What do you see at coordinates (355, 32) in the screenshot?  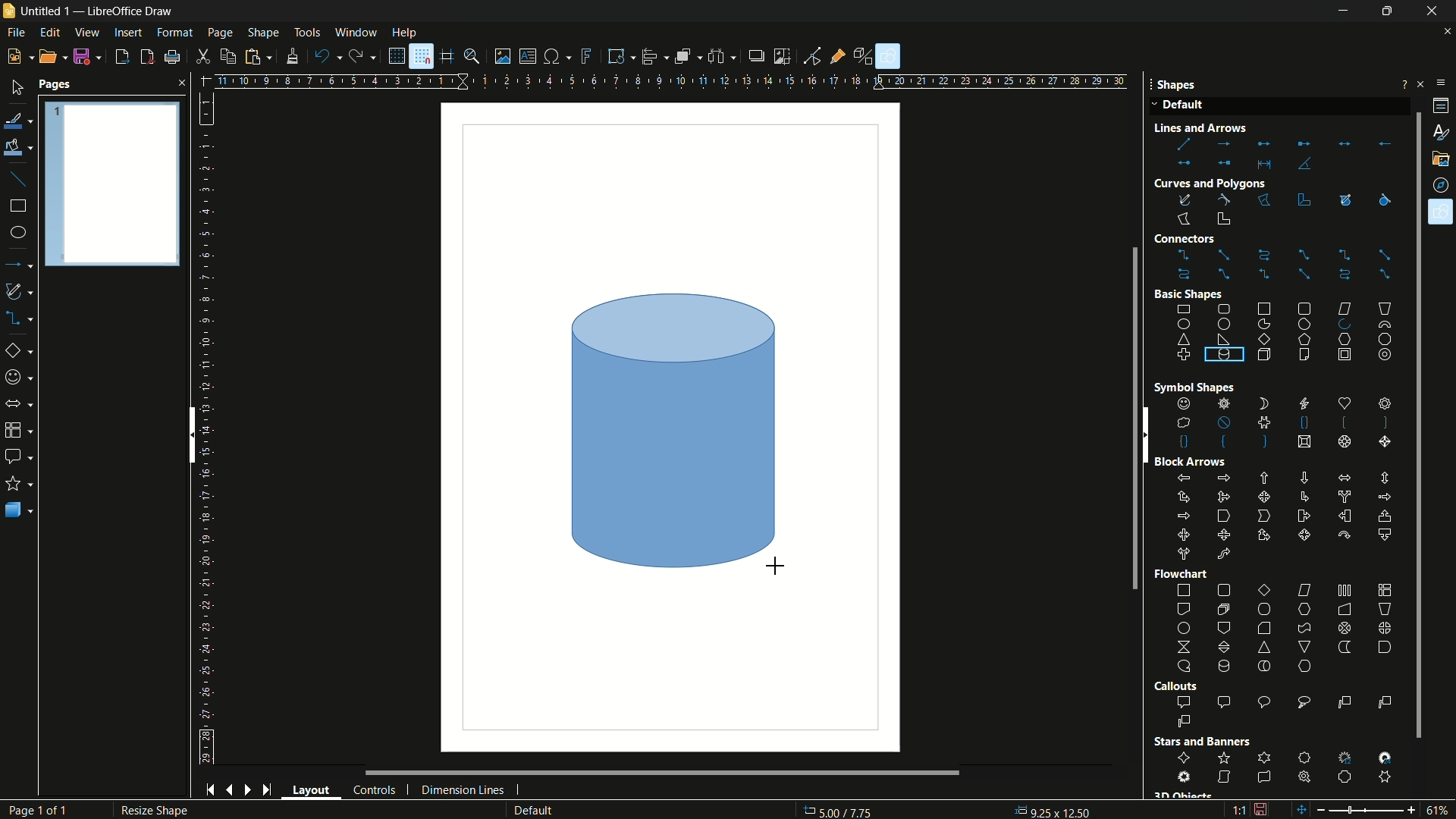 I see `window menu` at bounding box center [355, 32].